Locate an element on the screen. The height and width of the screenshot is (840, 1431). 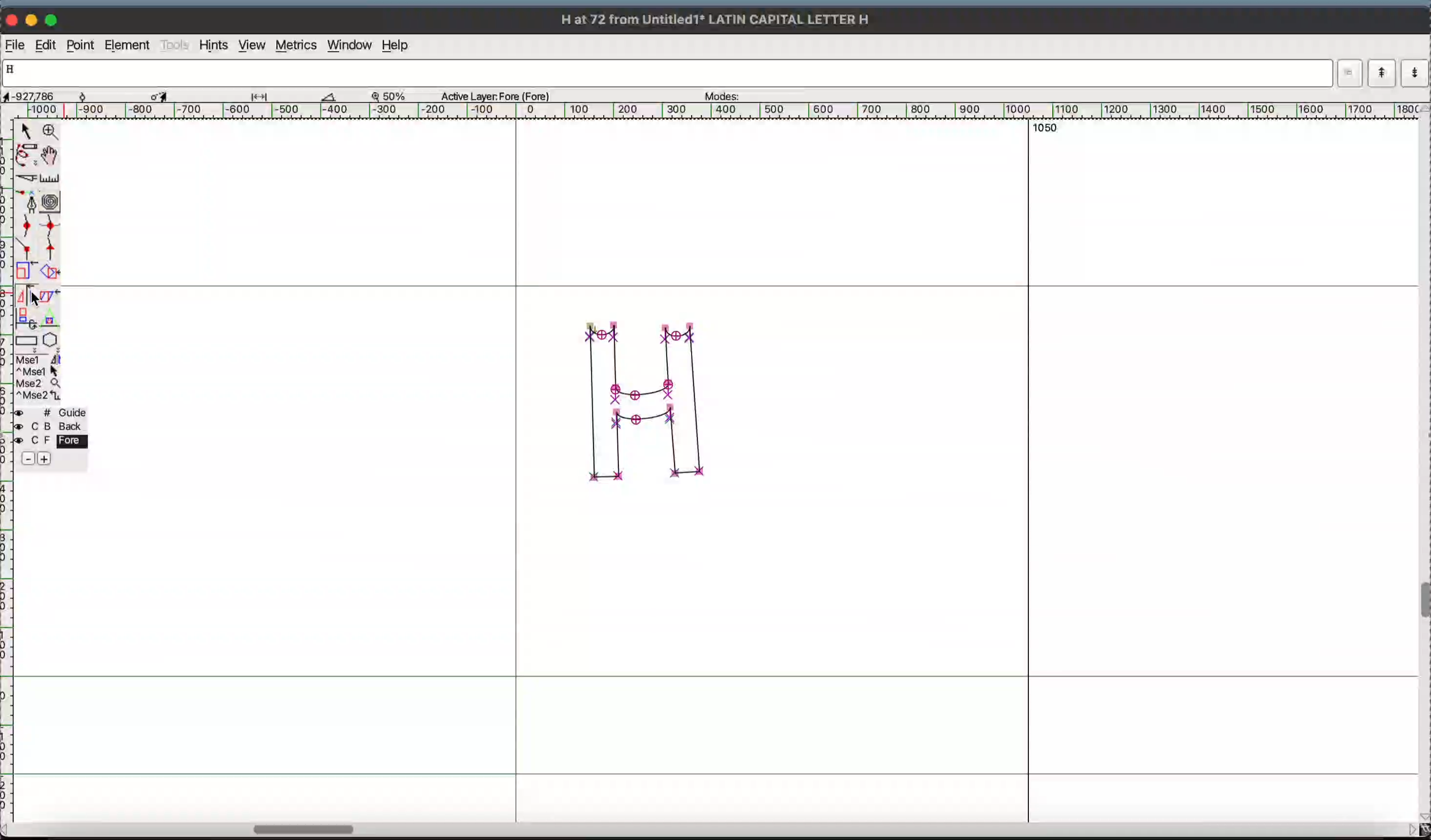
point is located at coordinates (81, 45).